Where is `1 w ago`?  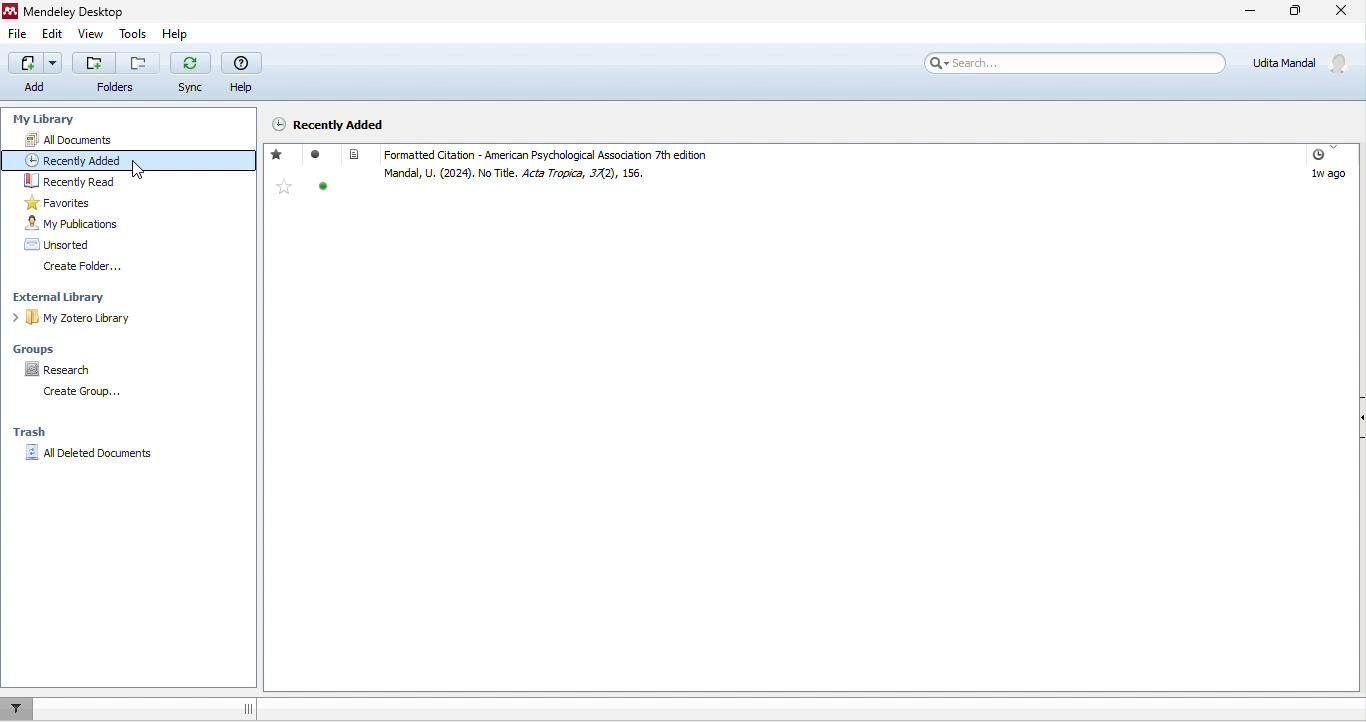
1 w ago is located at coordinates (1328, 175).